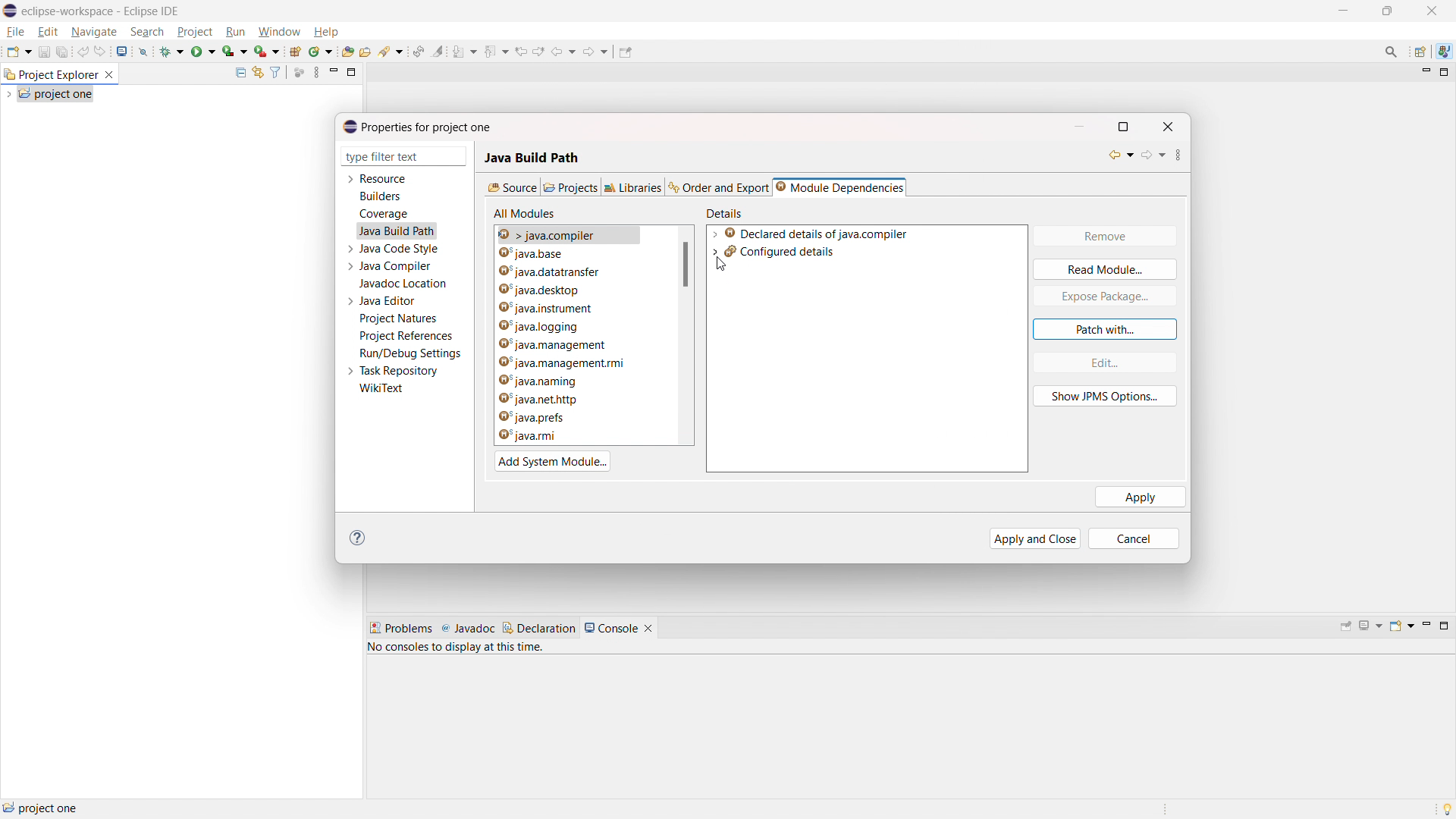 This screenshot has height=819, width=1456. I want to click on project, so click(195, 32).